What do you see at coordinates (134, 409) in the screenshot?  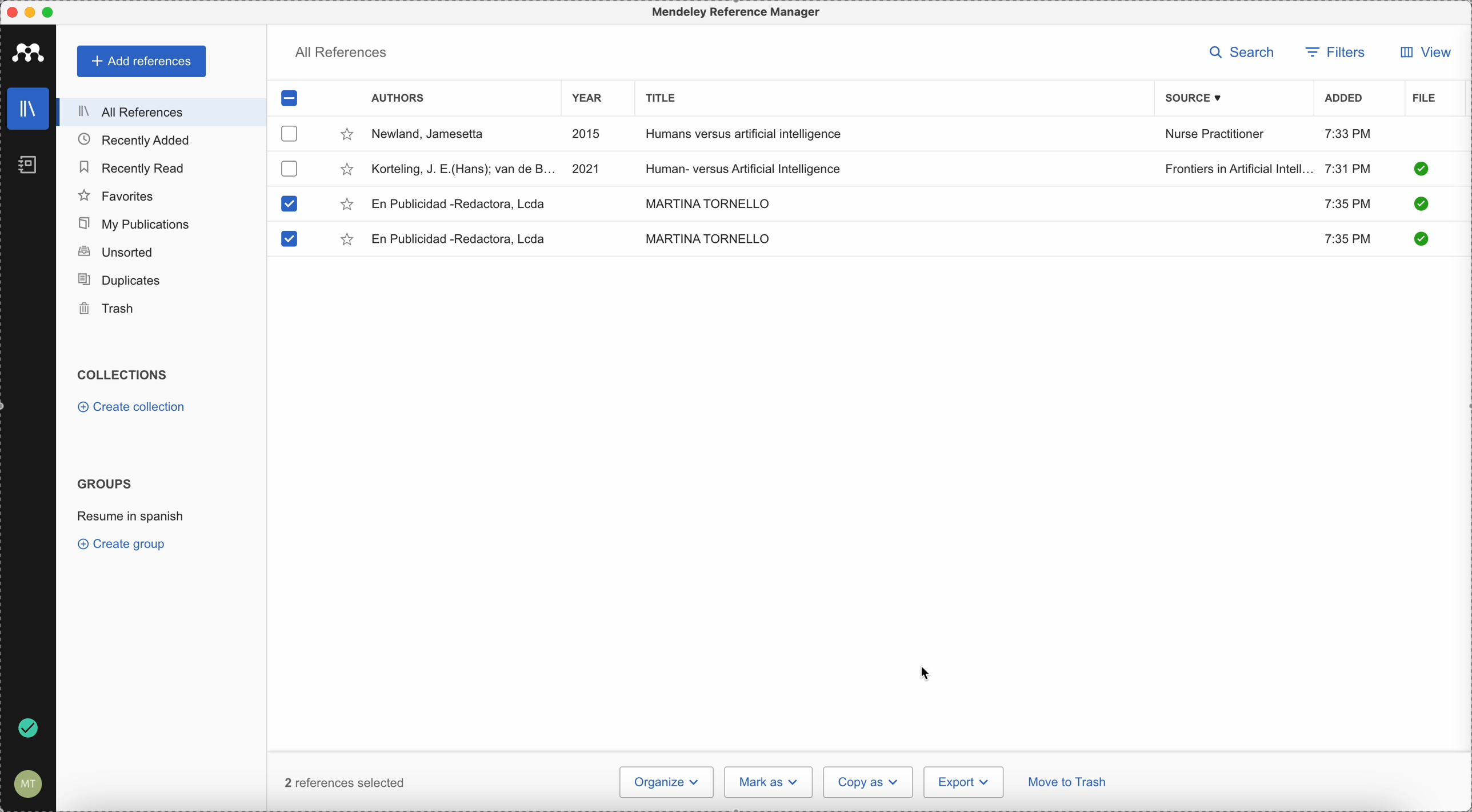 I see `create collection` at bounding box center [134, 409].